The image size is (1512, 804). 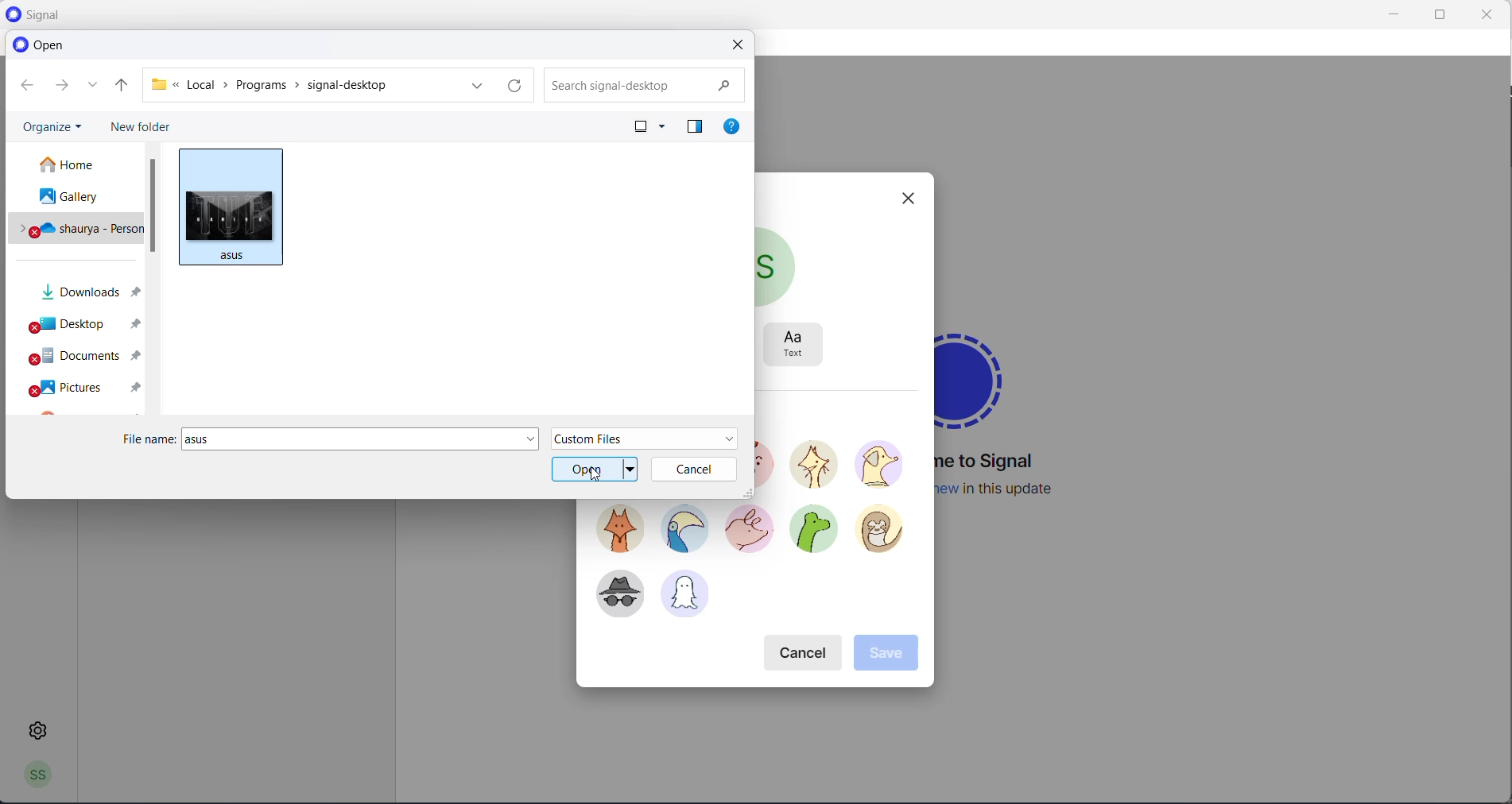 What do you see at coordinates (61, 87) in the screenshot?
I see `go forward` at bounding box center [61, 87].